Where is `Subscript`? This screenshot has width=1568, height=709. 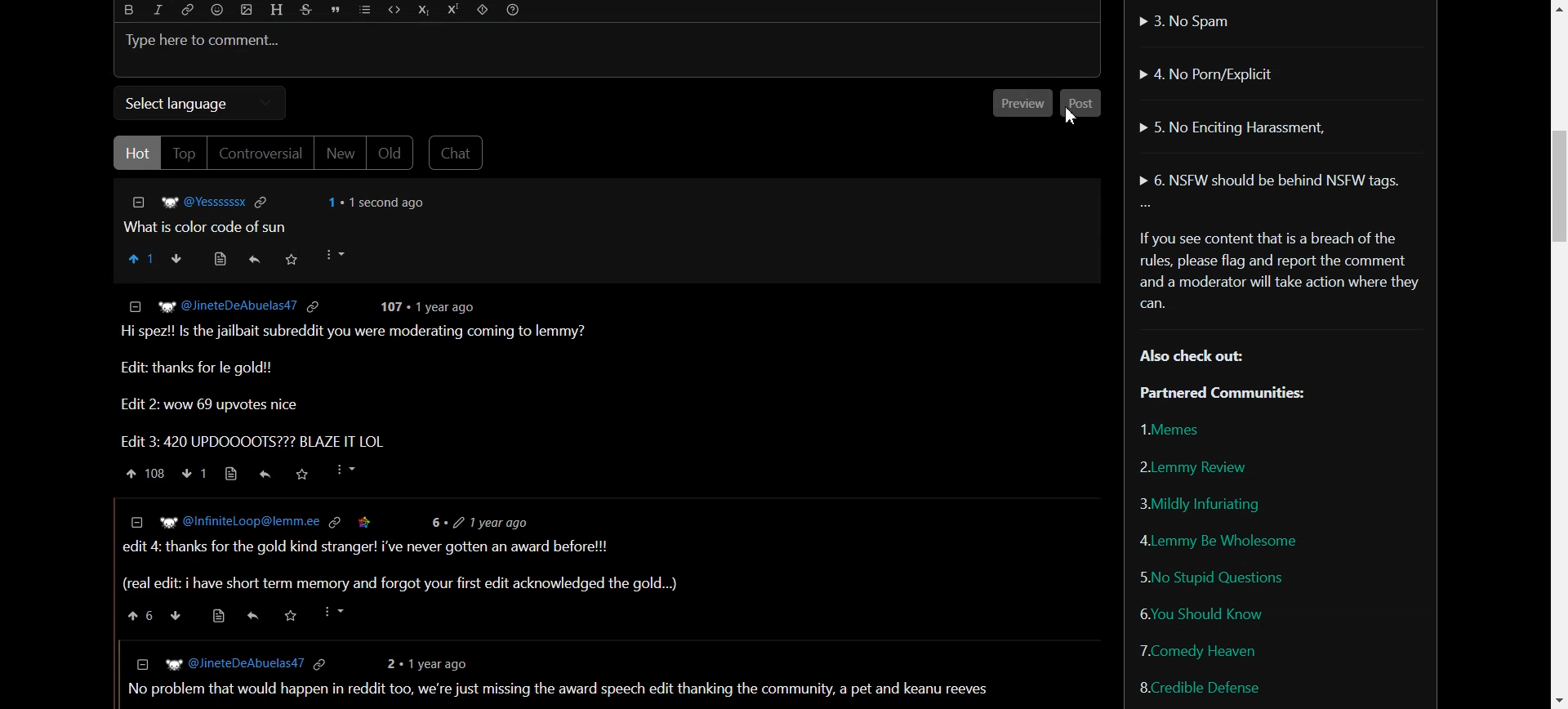 Subscript is located at coordinates (424, 10).